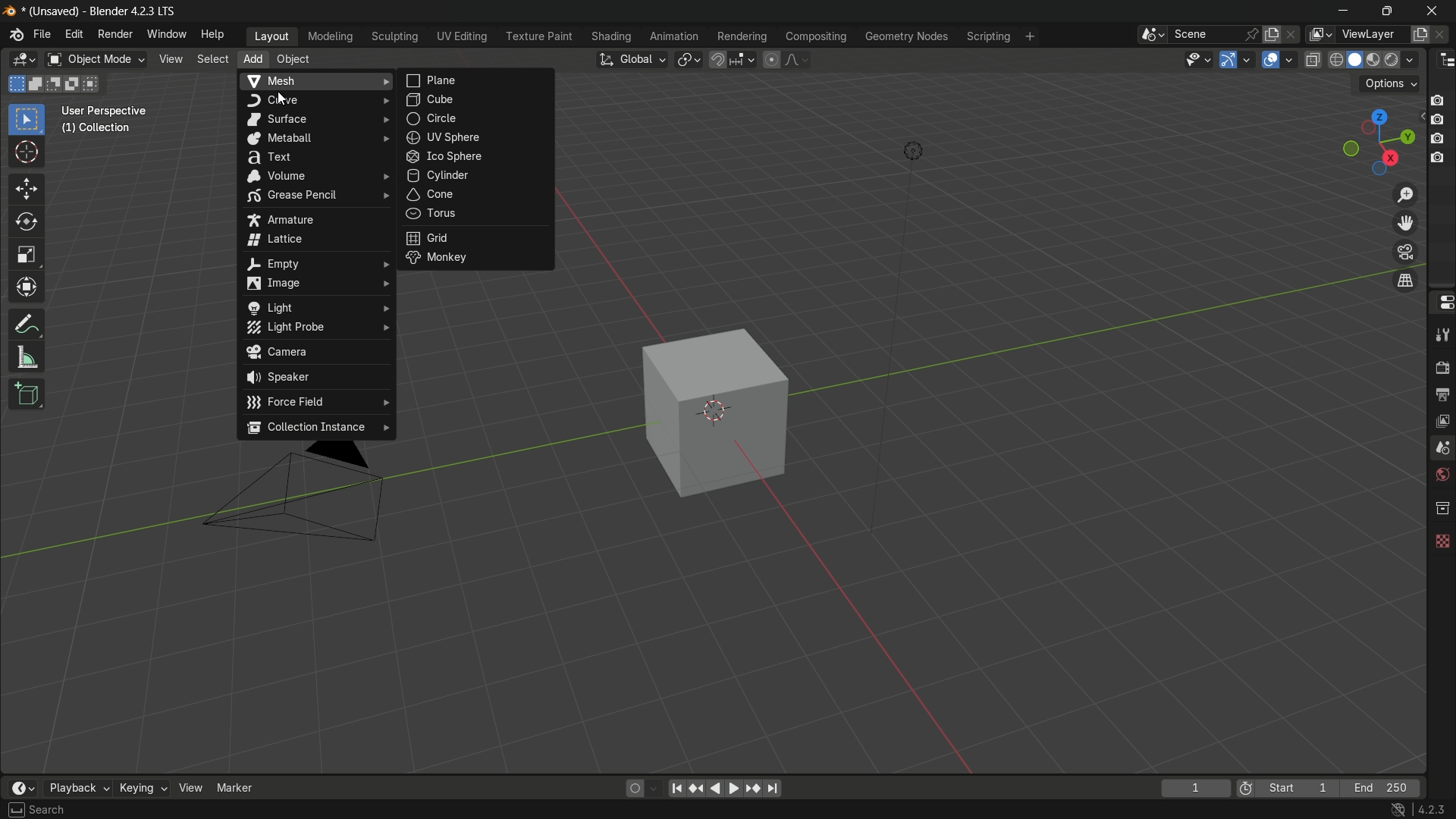  Describe the element at coordinates (1252, 34) in the screenshot. I see `pin scene to workspace` at that location.